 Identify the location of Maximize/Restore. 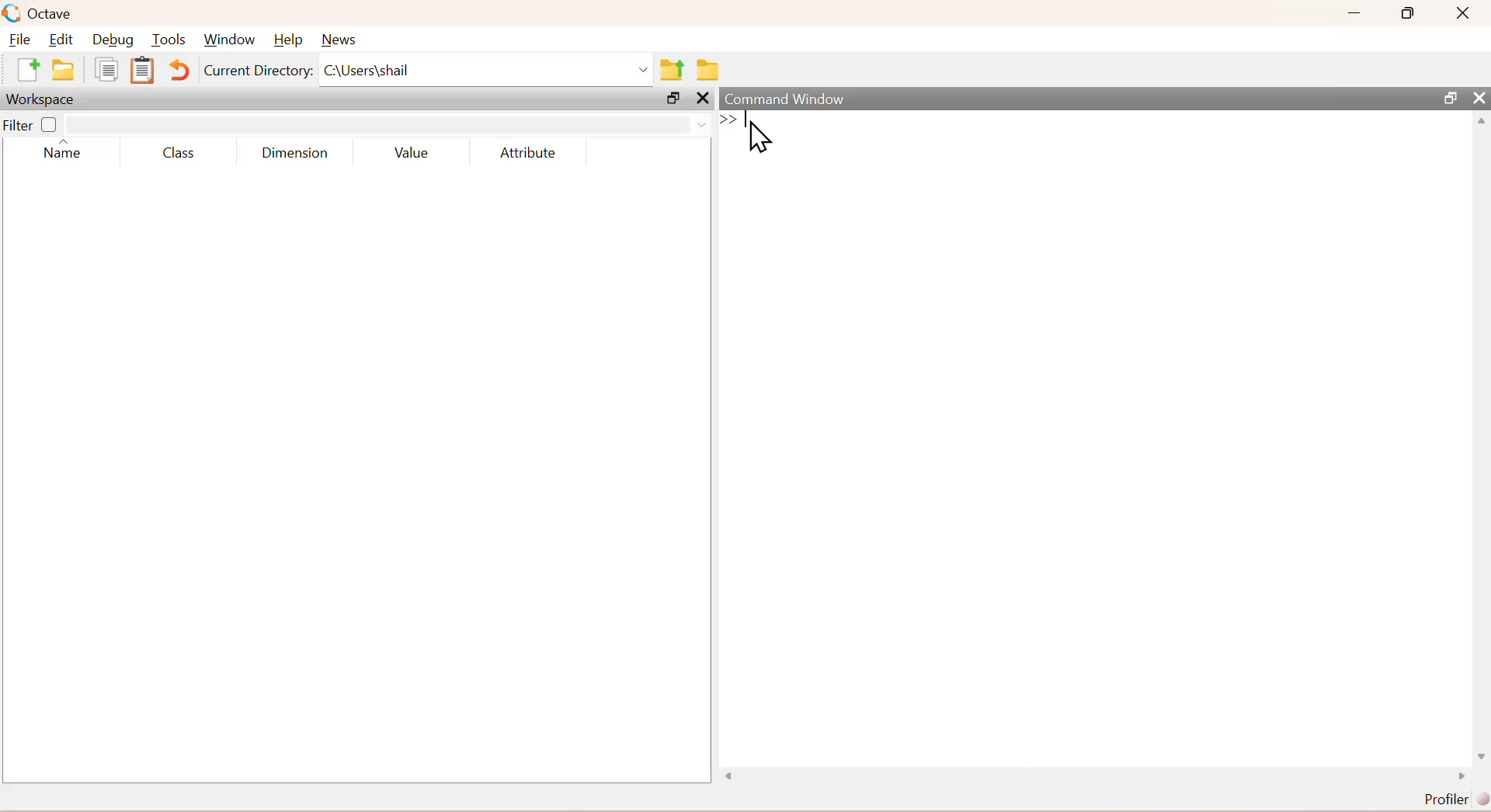
(1448, 96).